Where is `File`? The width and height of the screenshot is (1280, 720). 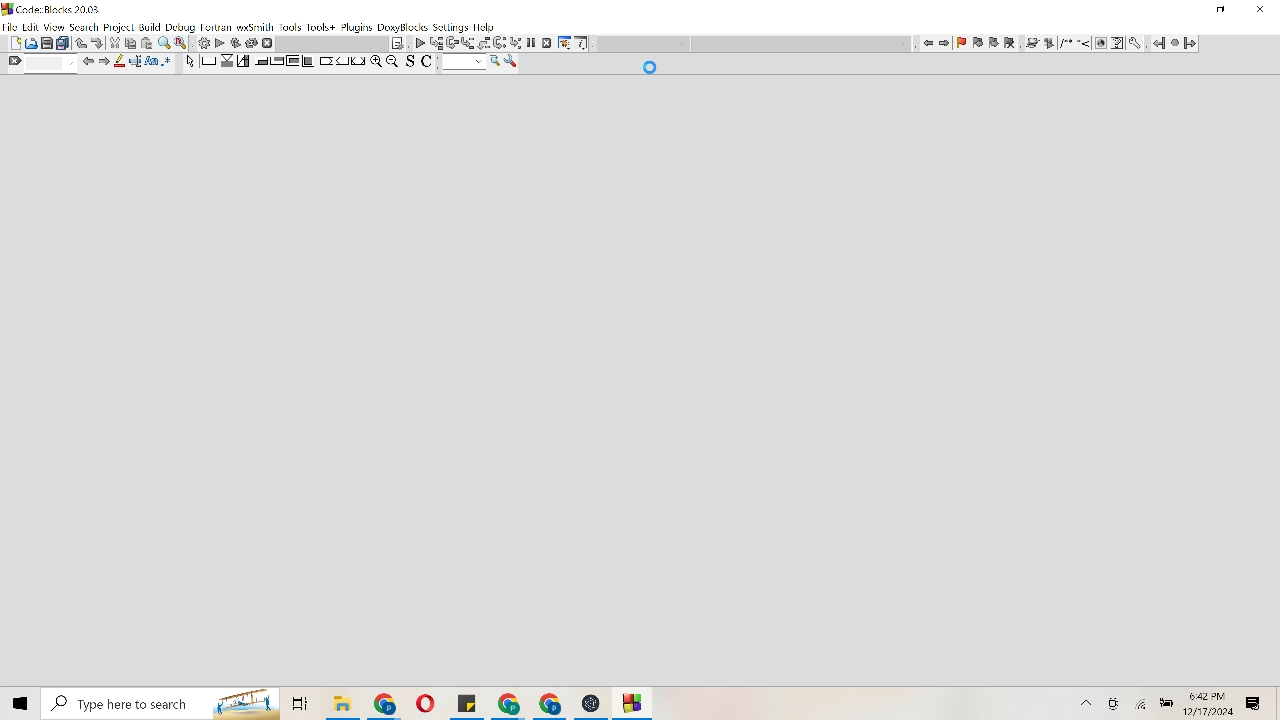
File is located at coordinates (508, 703).